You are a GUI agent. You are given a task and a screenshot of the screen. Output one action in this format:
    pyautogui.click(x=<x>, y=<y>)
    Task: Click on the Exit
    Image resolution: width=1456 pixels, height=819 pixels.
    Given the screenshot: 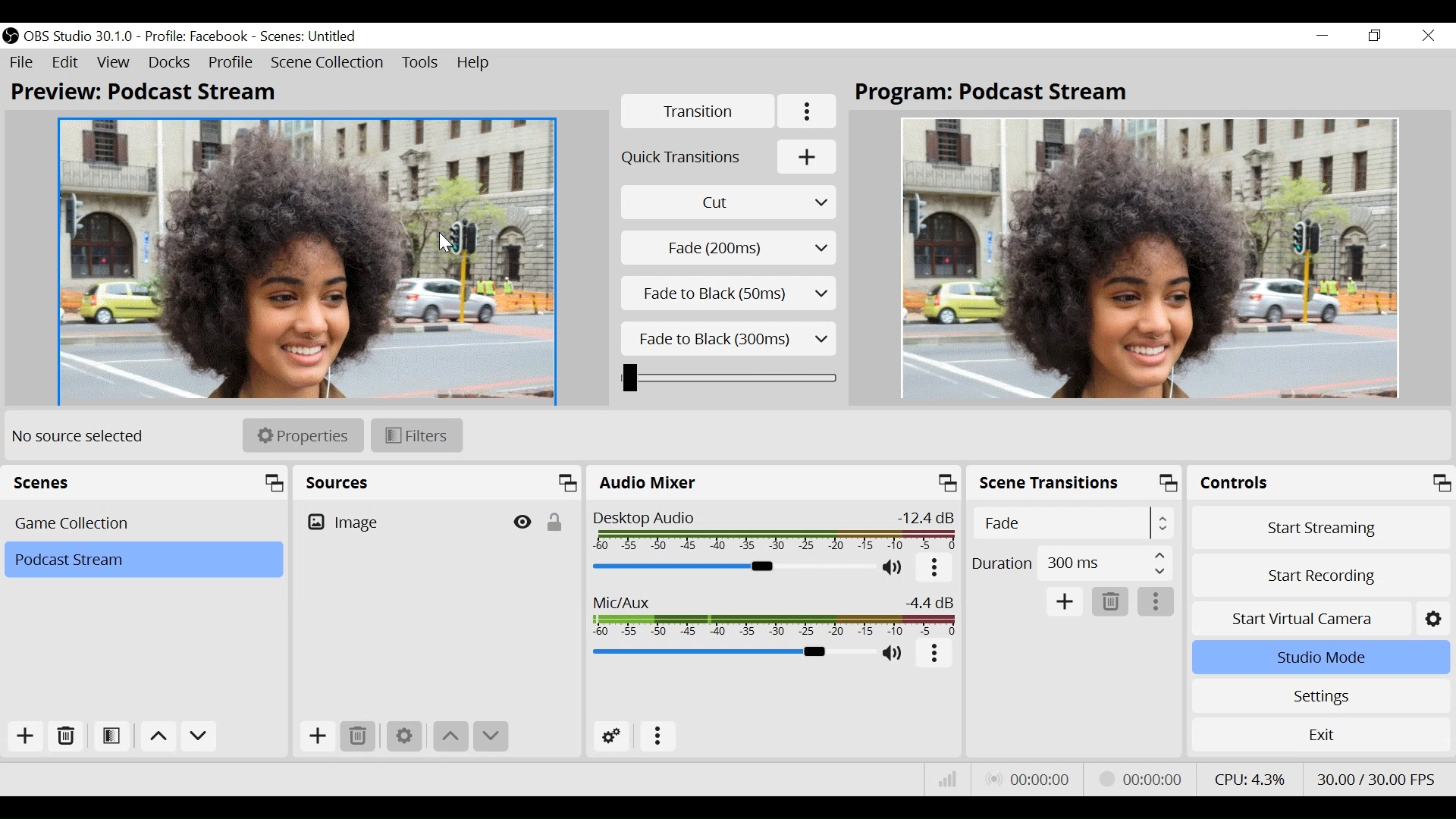 What is the action you would take?
    pyautogui.click(x=1321, y=733)
    